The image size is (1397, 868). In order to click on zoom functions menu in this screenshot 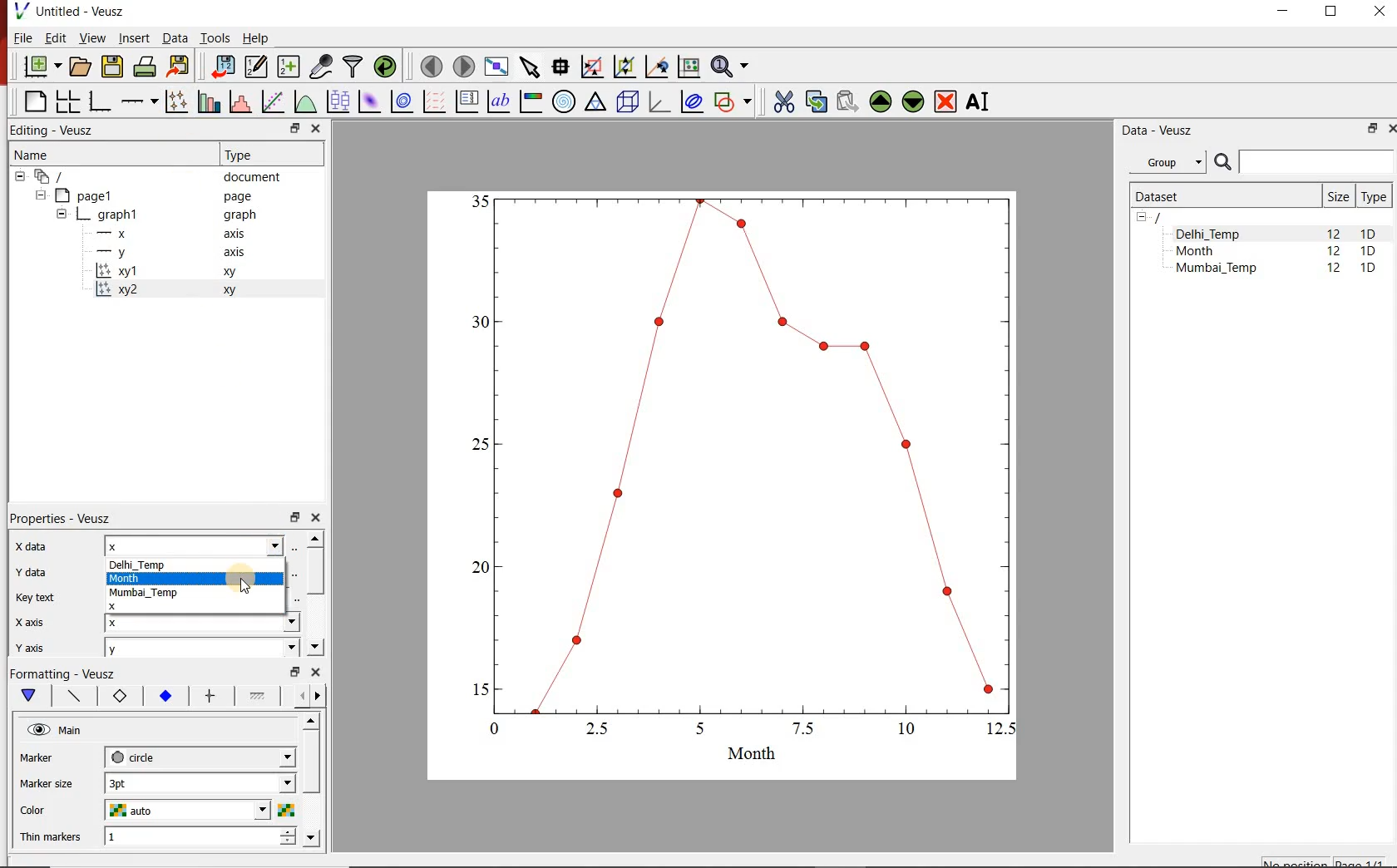, I will do `click(732, 67)`.